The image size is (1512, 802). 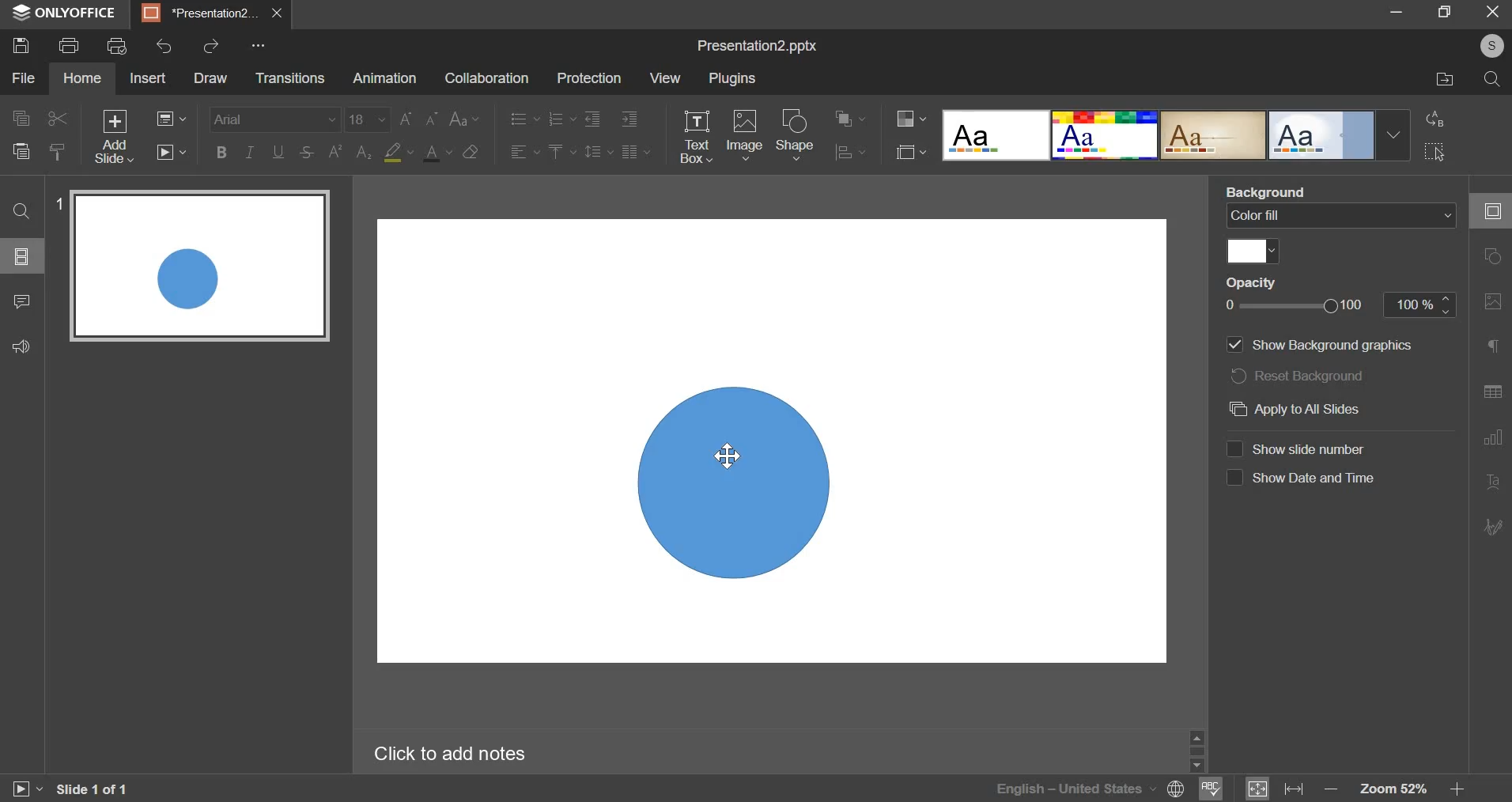 I want to click on play, so click(x=20, y=788).